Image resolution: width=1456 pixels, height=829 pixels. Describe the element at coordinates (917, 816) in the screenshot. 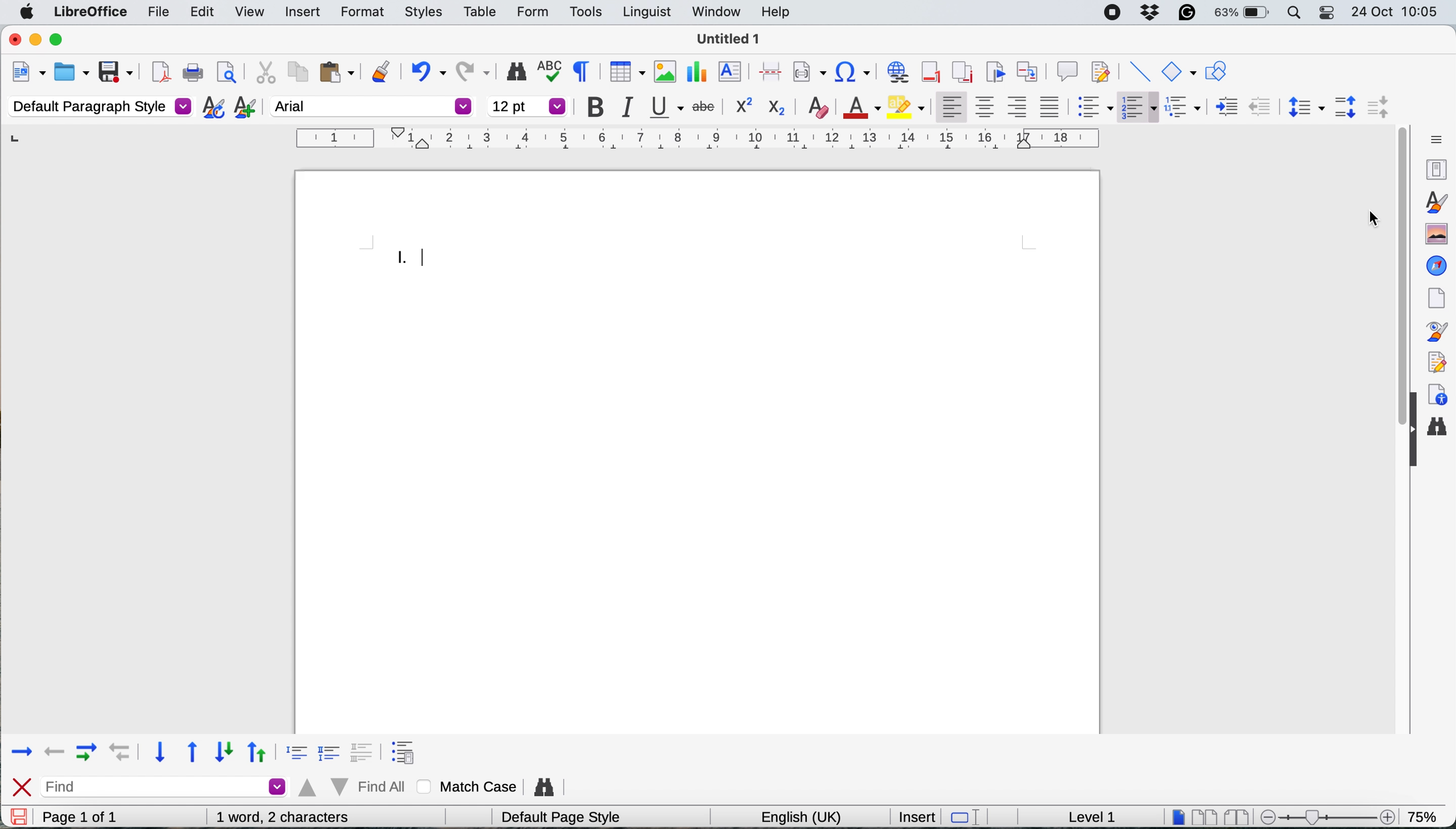

I see `insert` at that location.